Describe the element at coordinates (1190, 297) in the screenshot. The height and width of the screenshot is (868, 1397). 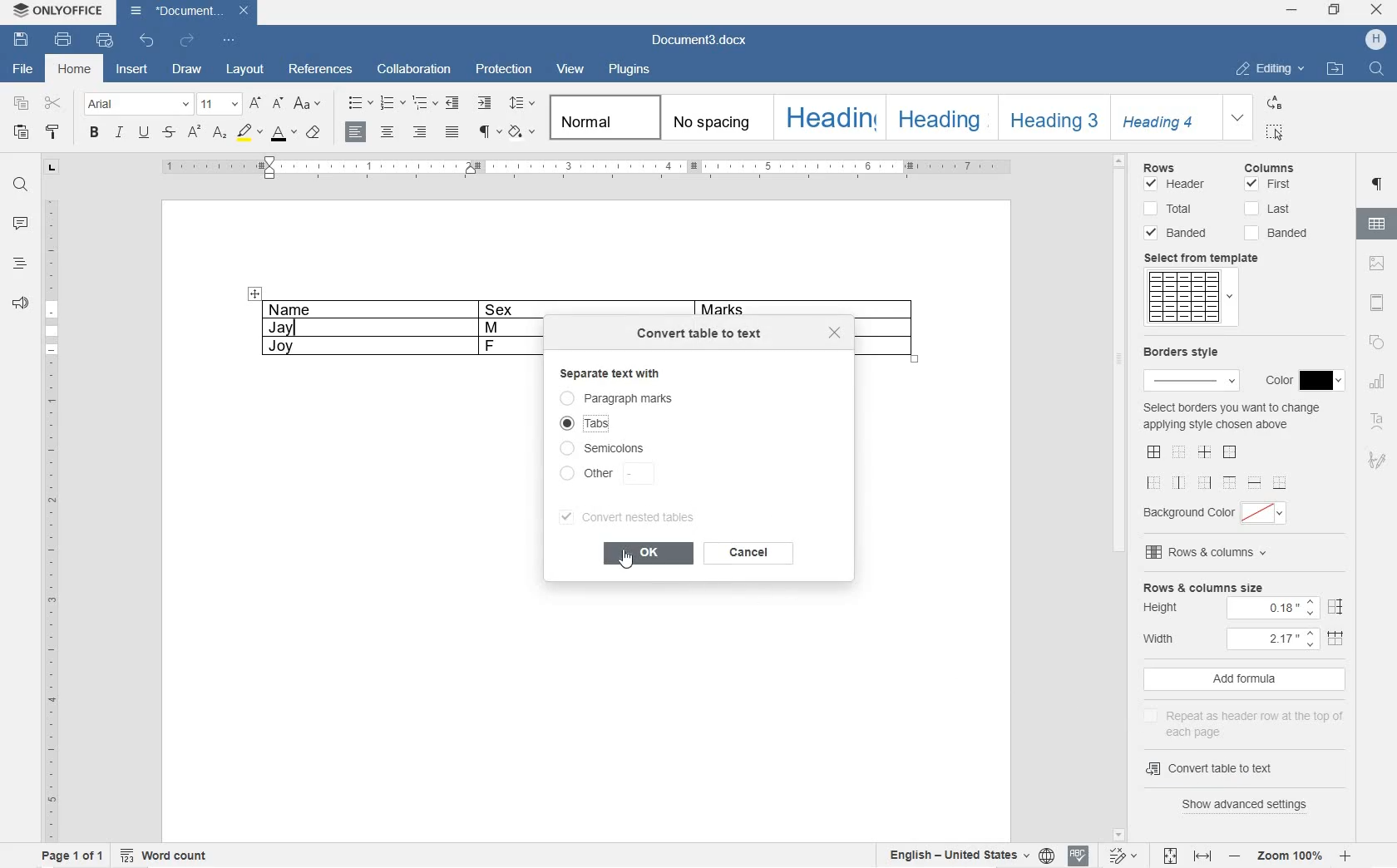
I see `Templates` at that location.